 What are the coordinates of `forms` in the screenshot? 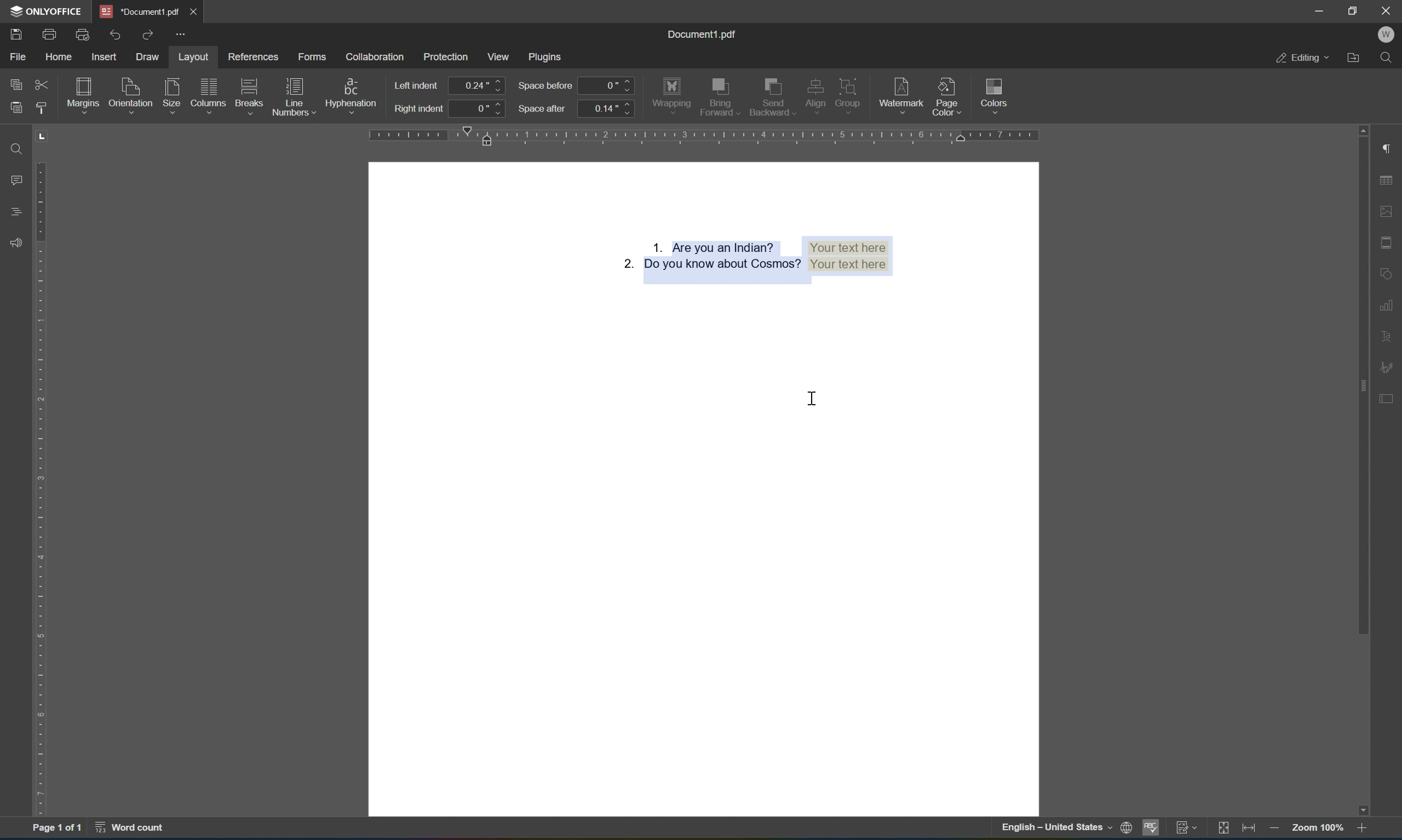 It's located at (315, 59).